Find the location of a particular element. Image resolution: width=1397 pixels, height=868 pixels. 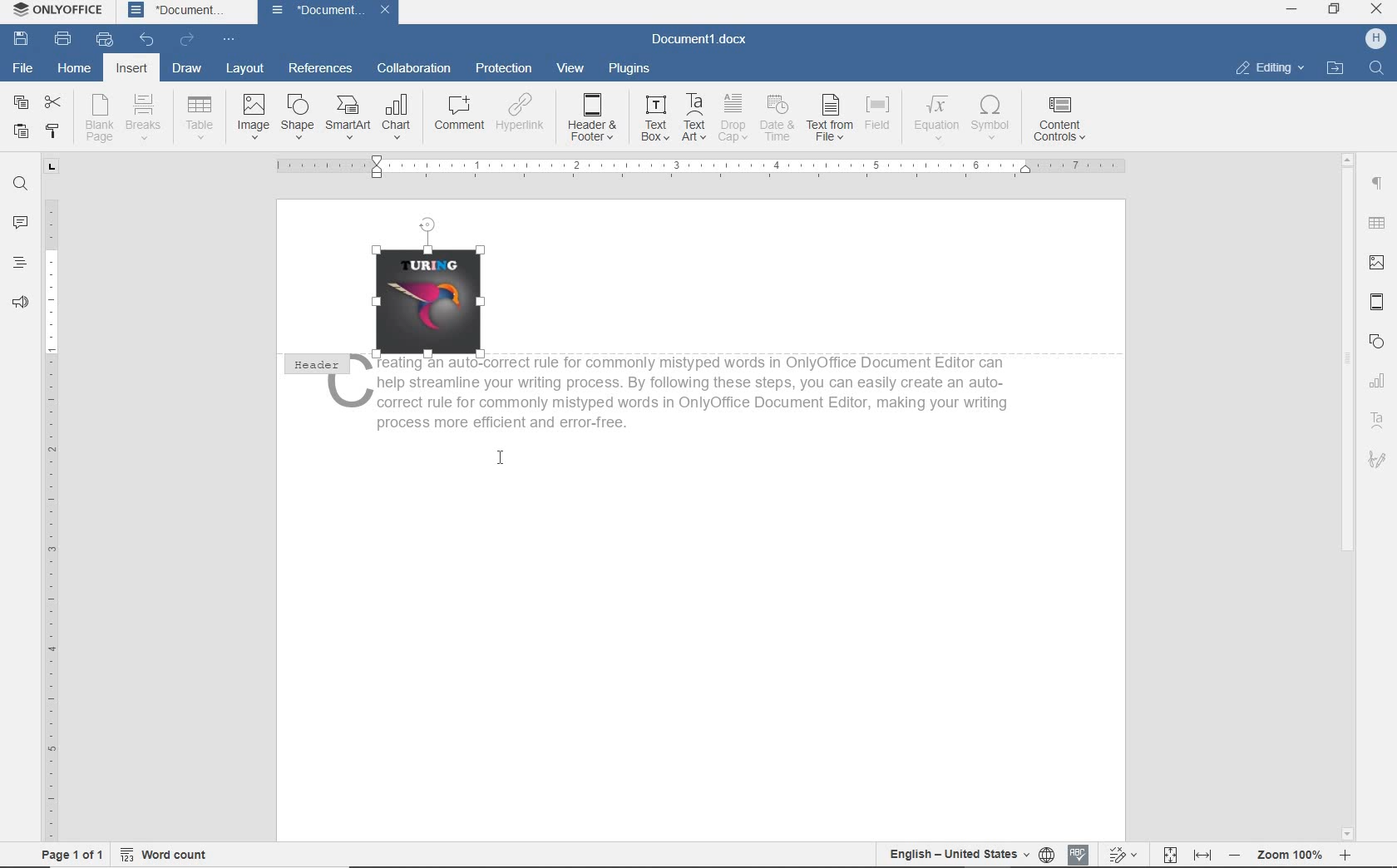

 is located at coordinates (297, 116).